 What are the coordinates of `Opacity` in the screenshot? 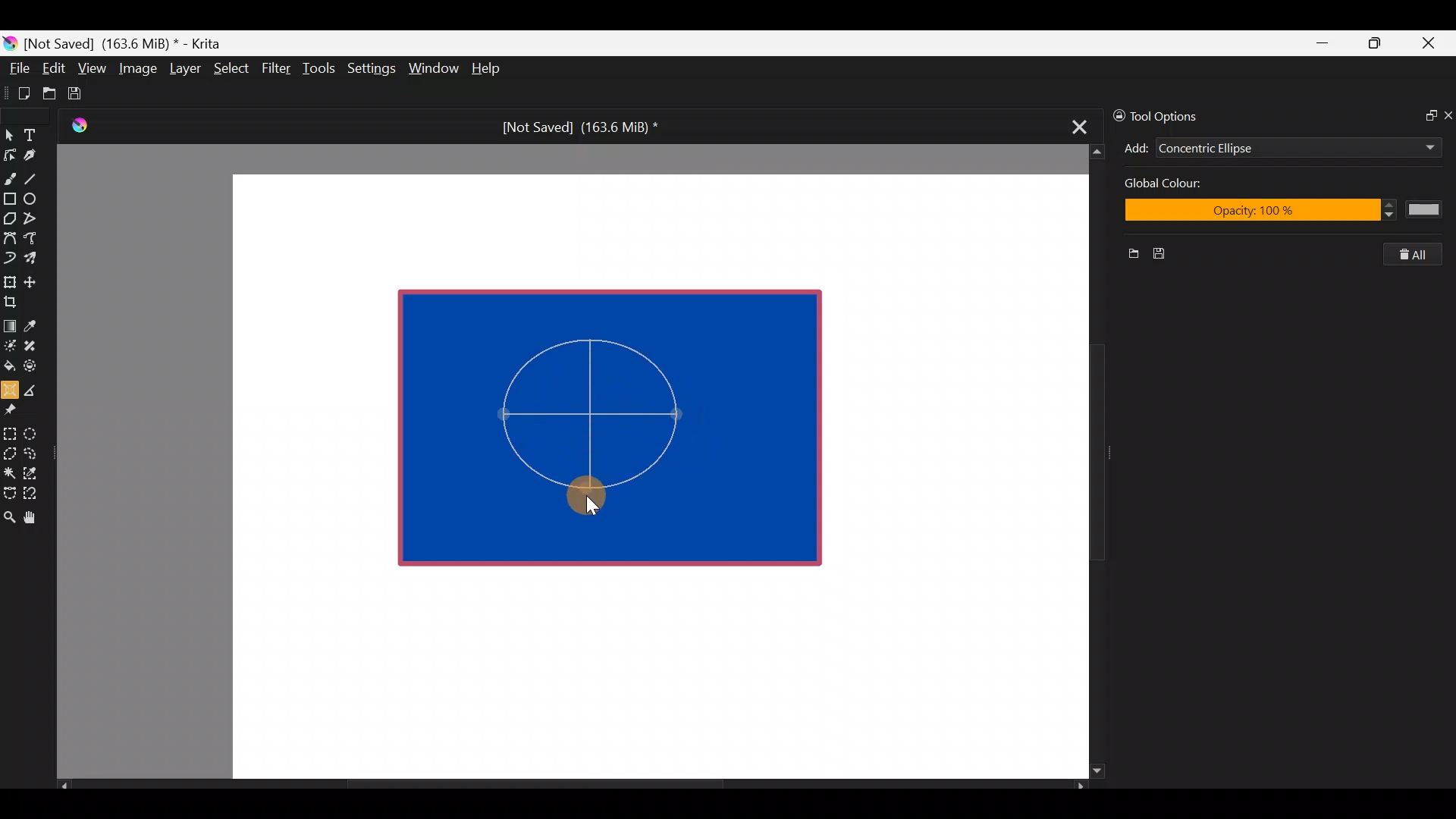 It's located at (1279, 212).